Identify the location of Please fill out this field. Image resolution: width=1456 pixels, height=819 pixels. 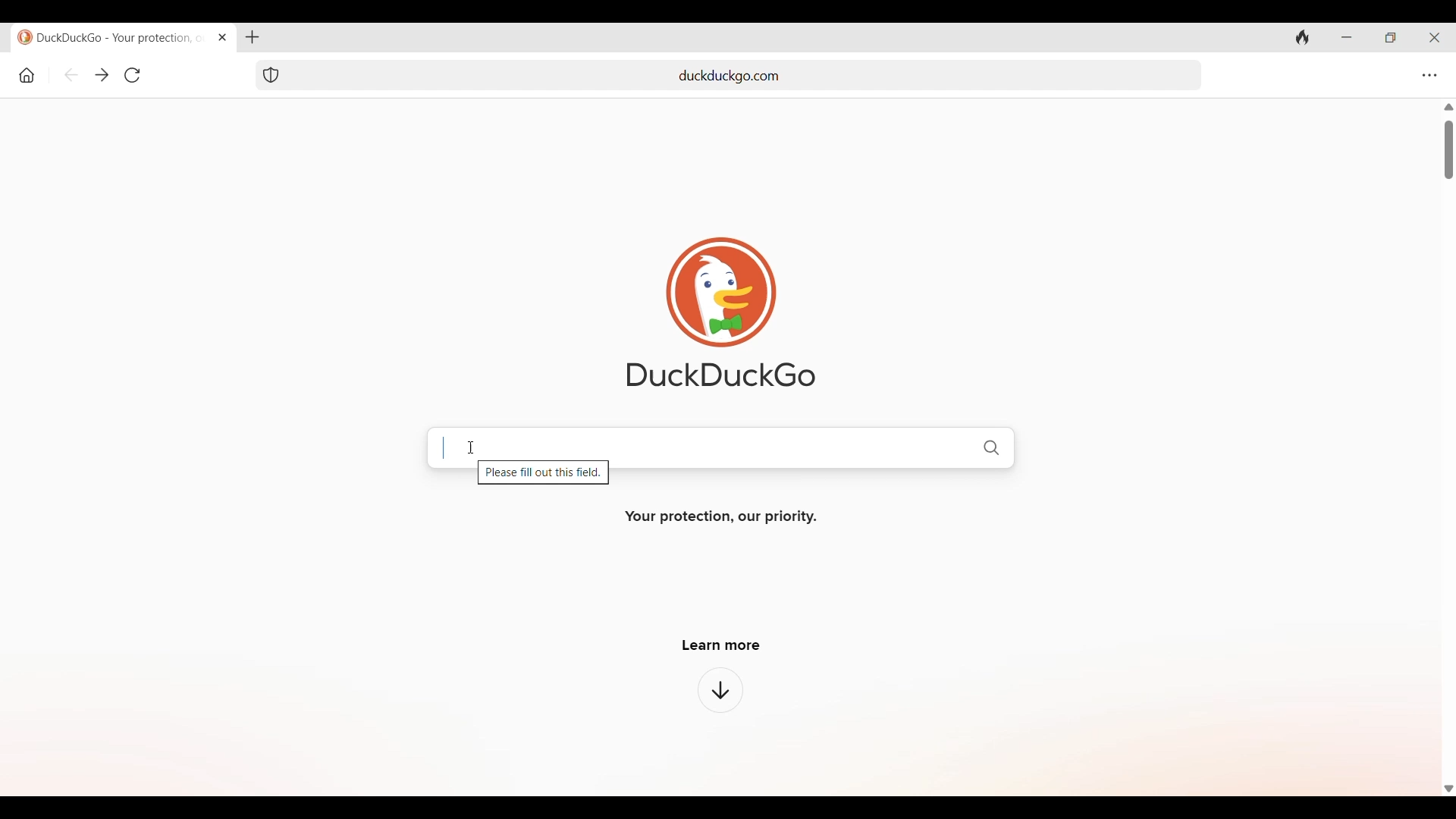
(544, 475).